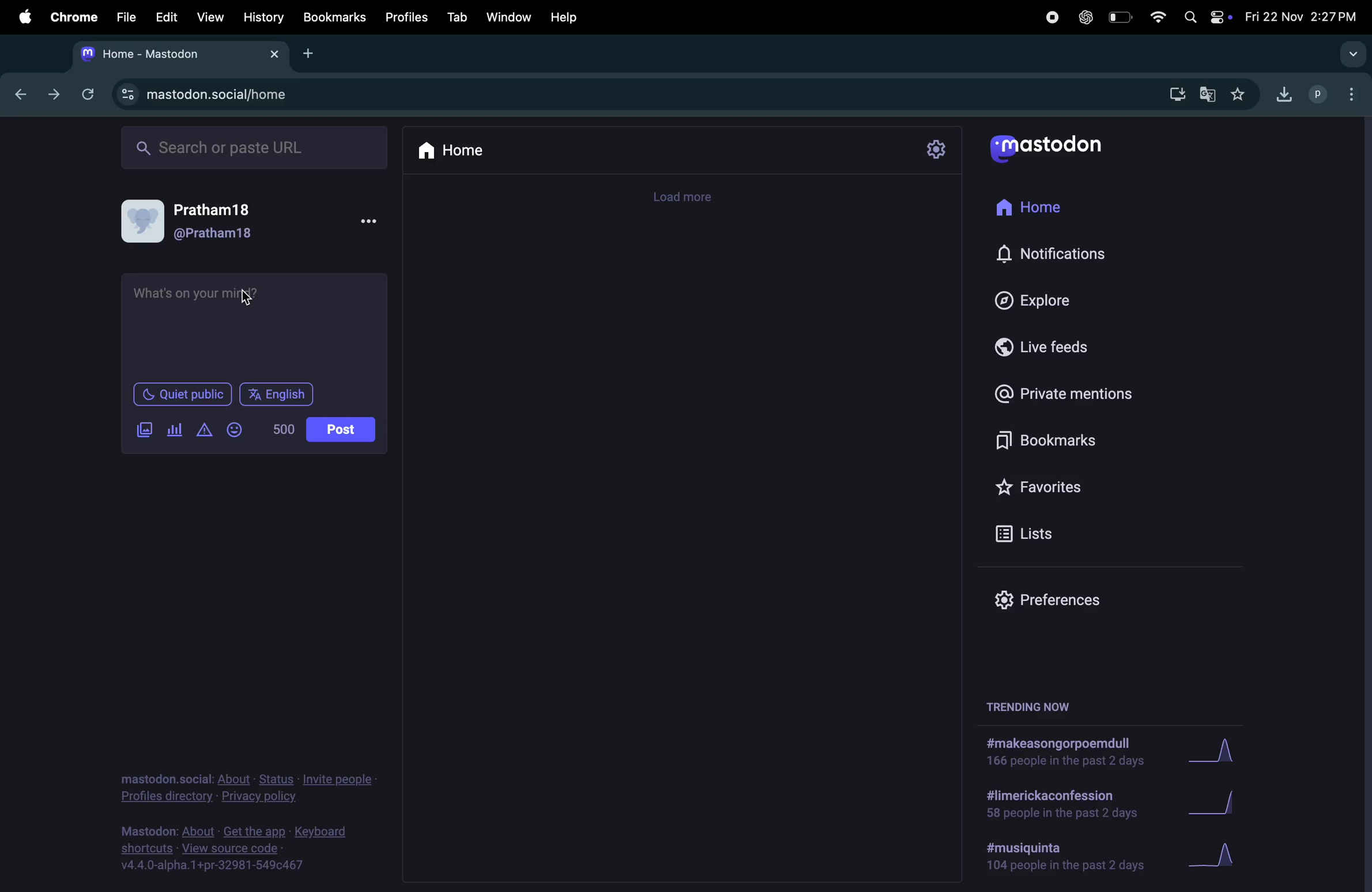  Describe the element at coordinates (1159, 18) in the screenshot. I see `wifi` at that location.